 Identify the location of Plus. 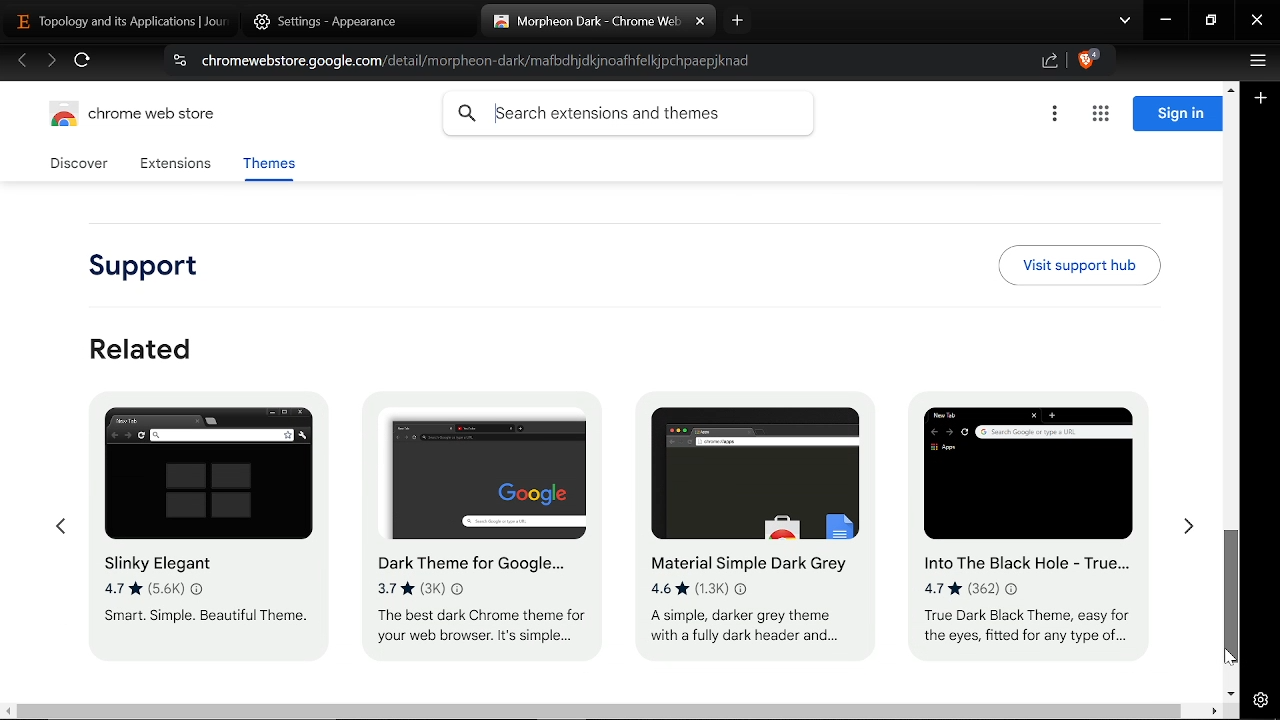
(1262, 100).